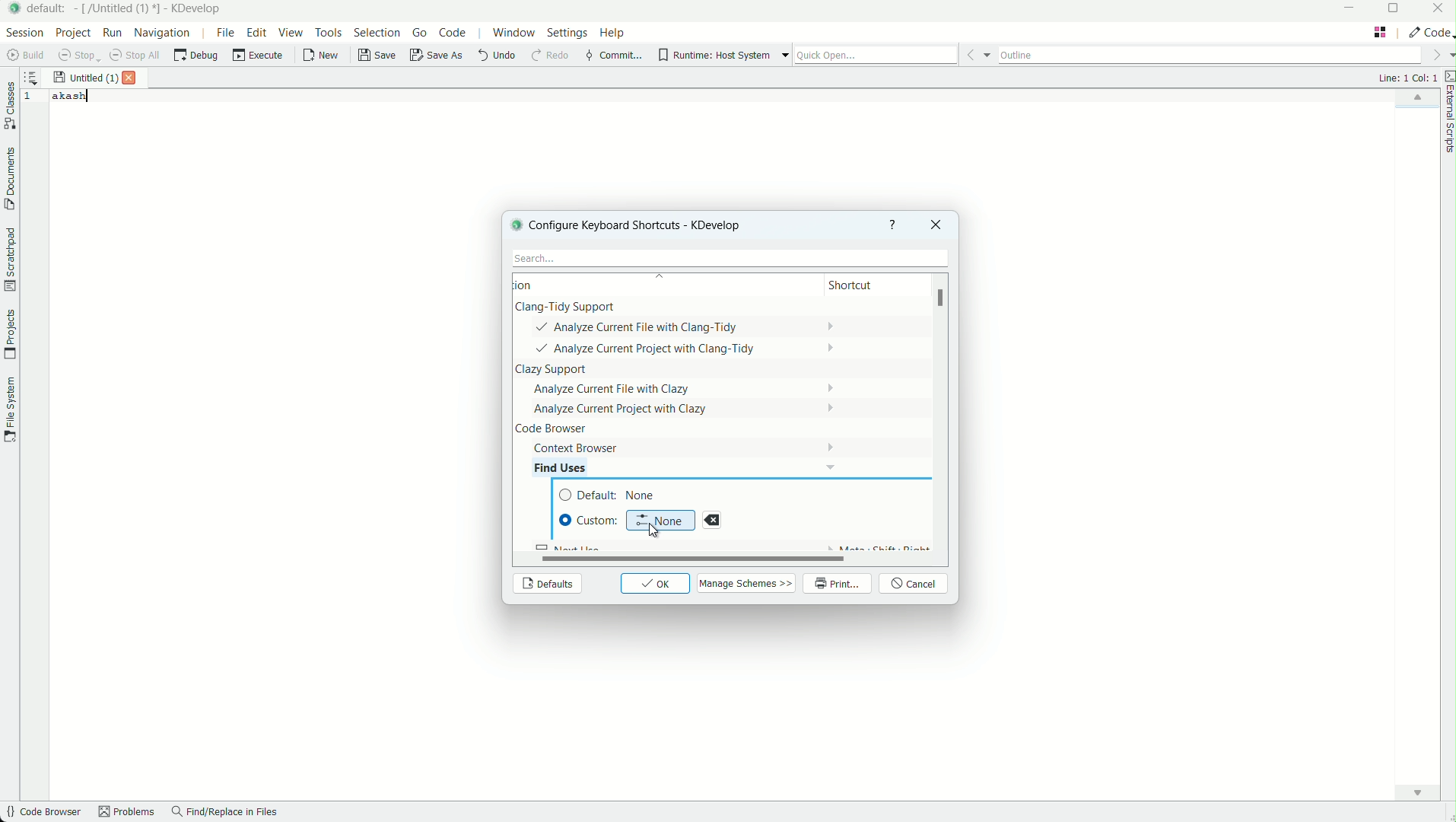 The width and height of the screenshot is (1456, 822). Describe the element at coordinates (1350, 9) in the screenshot. I see `minimize` at that location.